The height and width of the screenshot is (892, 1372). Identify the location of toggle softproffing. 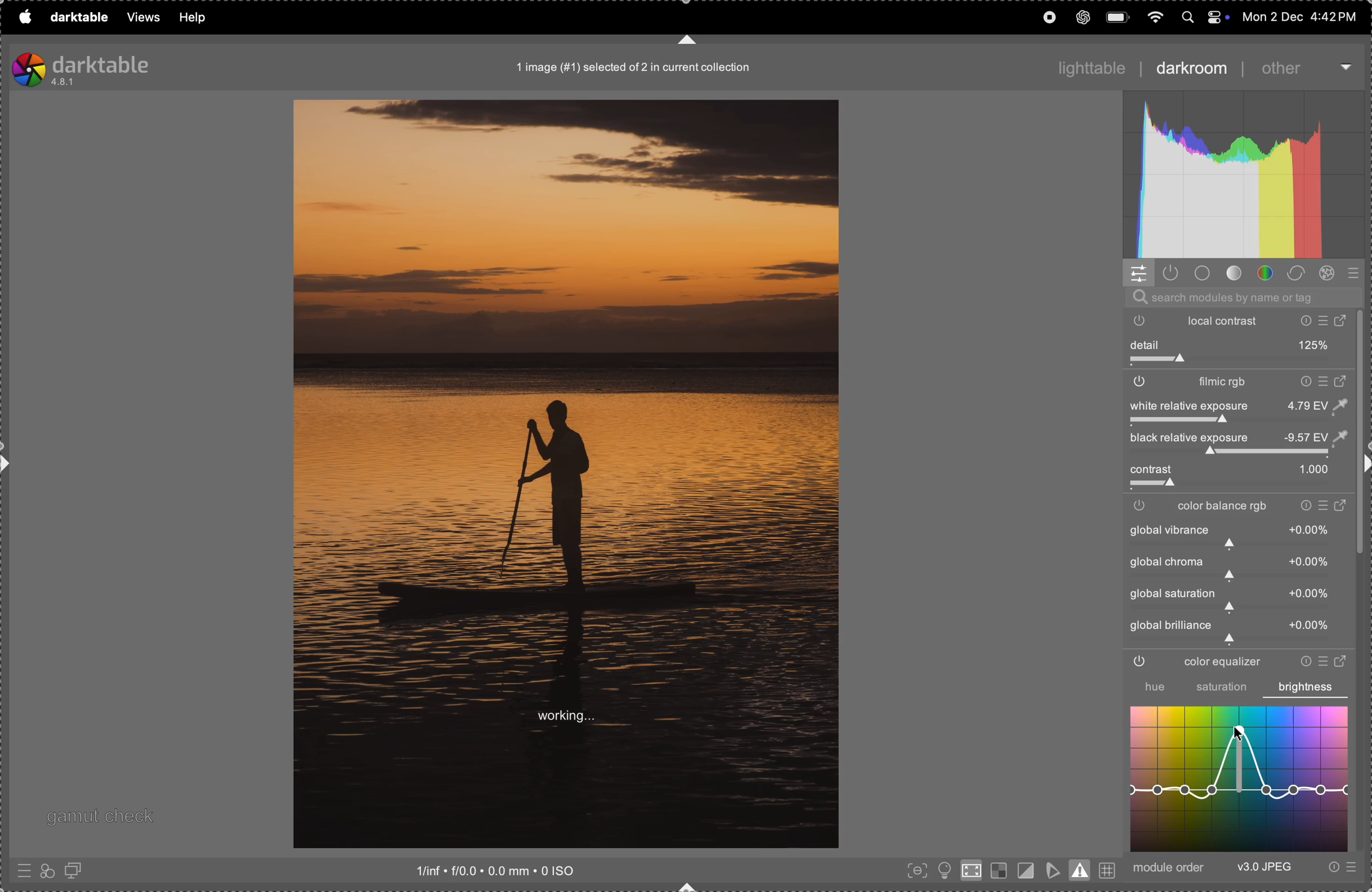
(1053, 868).